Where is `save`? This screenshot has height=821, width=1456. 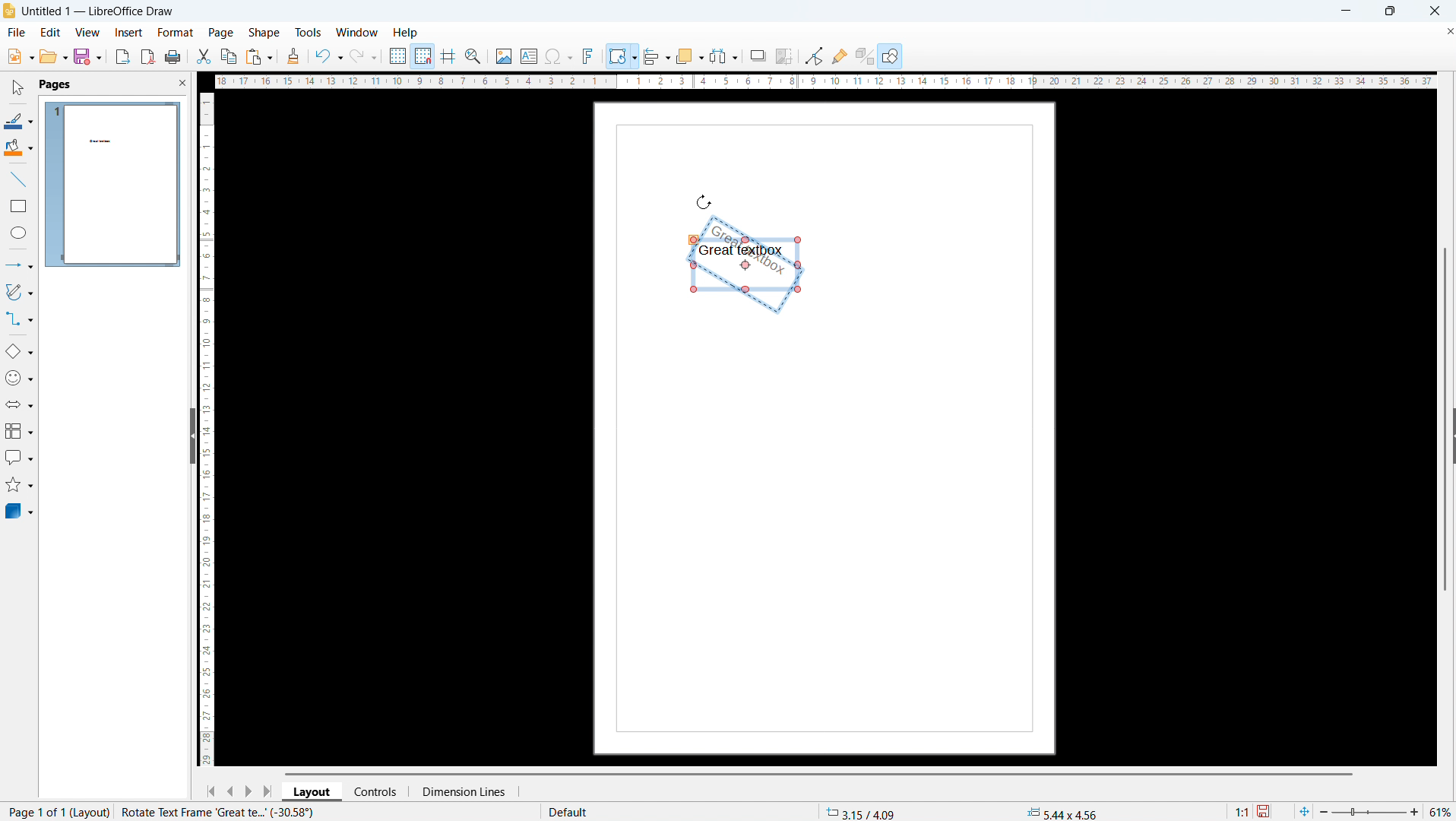 save is located at coordinates (87, 56).